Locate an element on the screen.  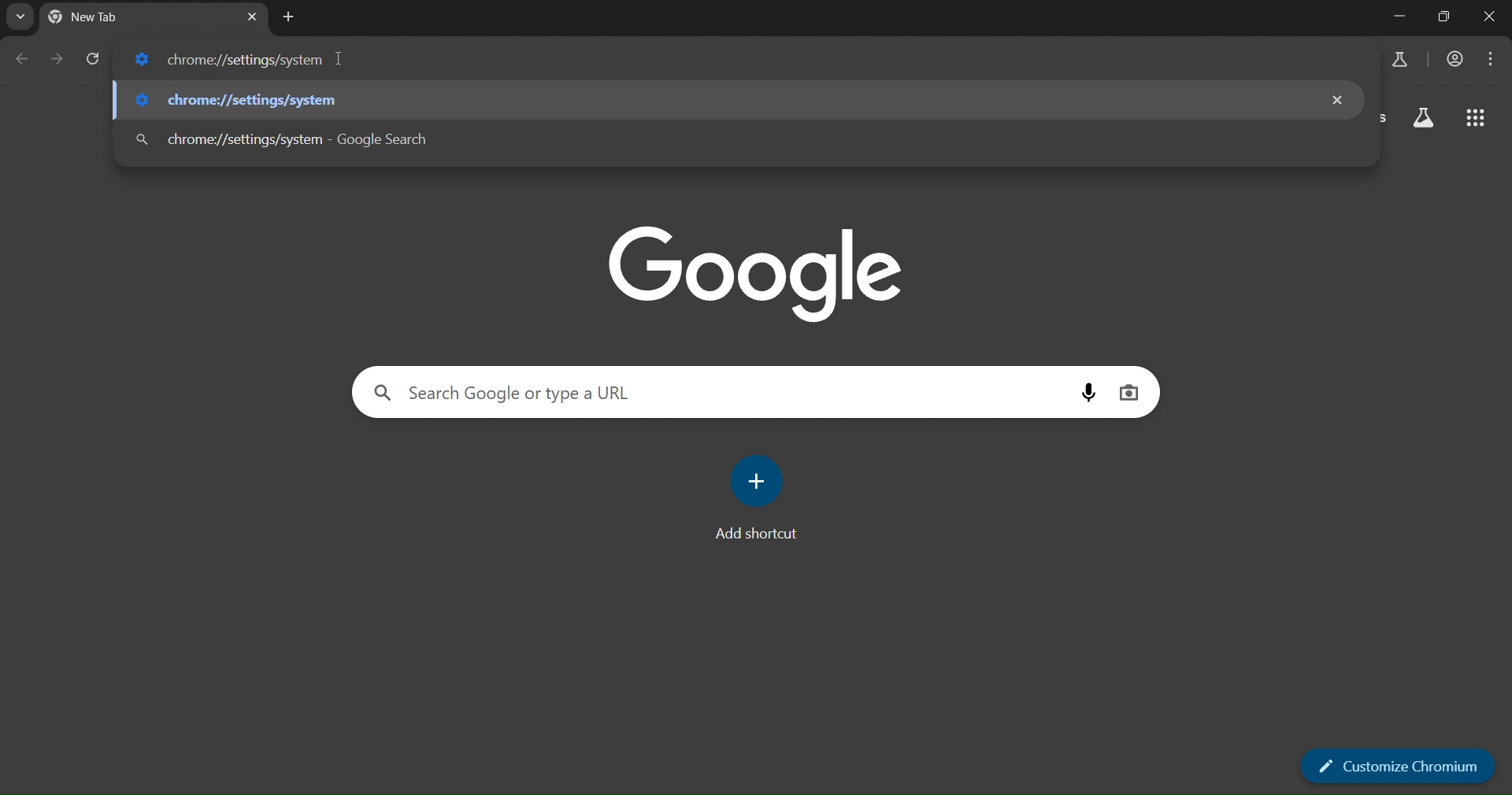
go forward one page is located at coordinates (58, 58).